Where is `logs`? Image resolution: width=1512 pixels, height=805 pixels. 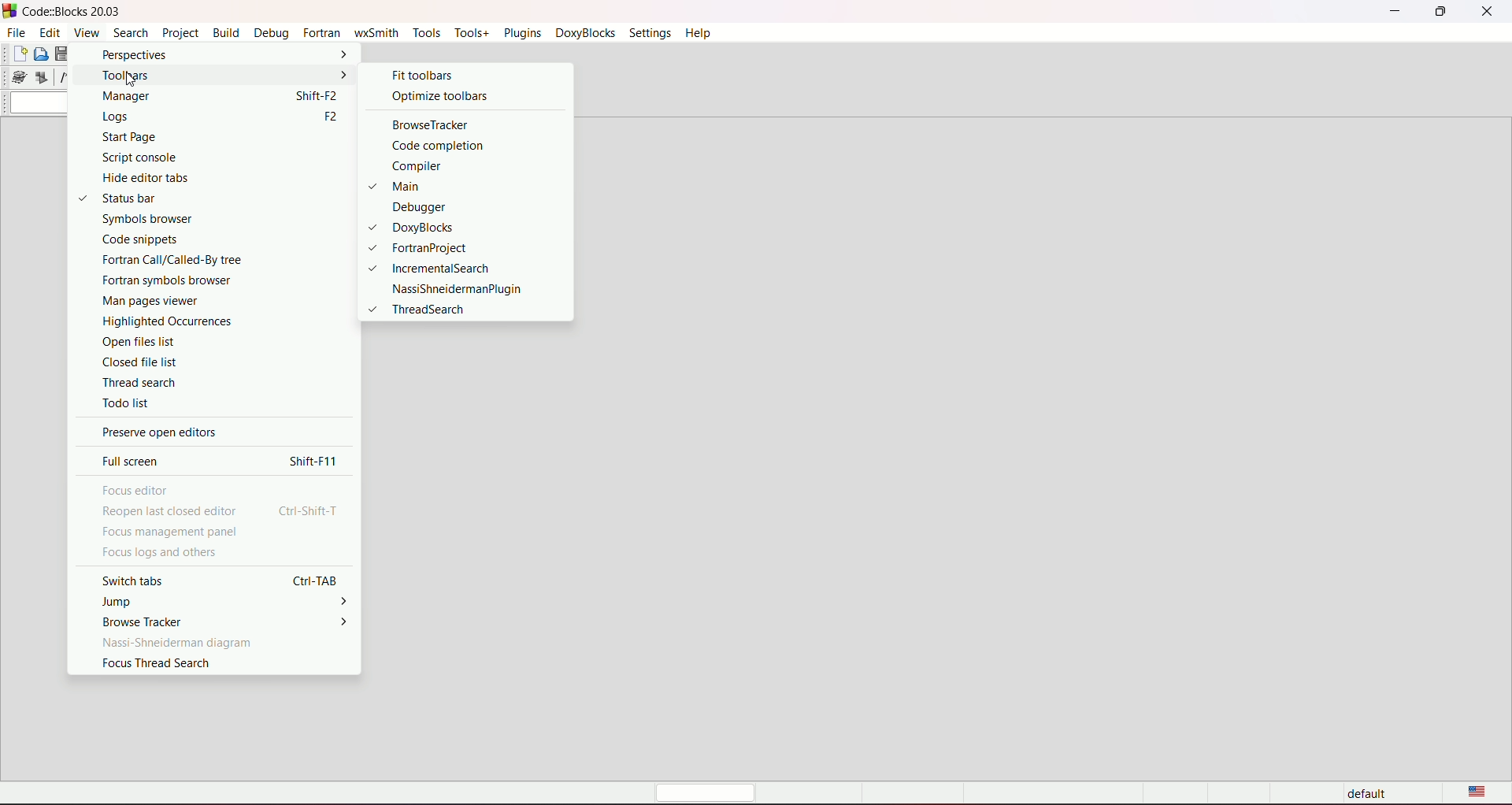 logs is located at coordinates (191, 117).